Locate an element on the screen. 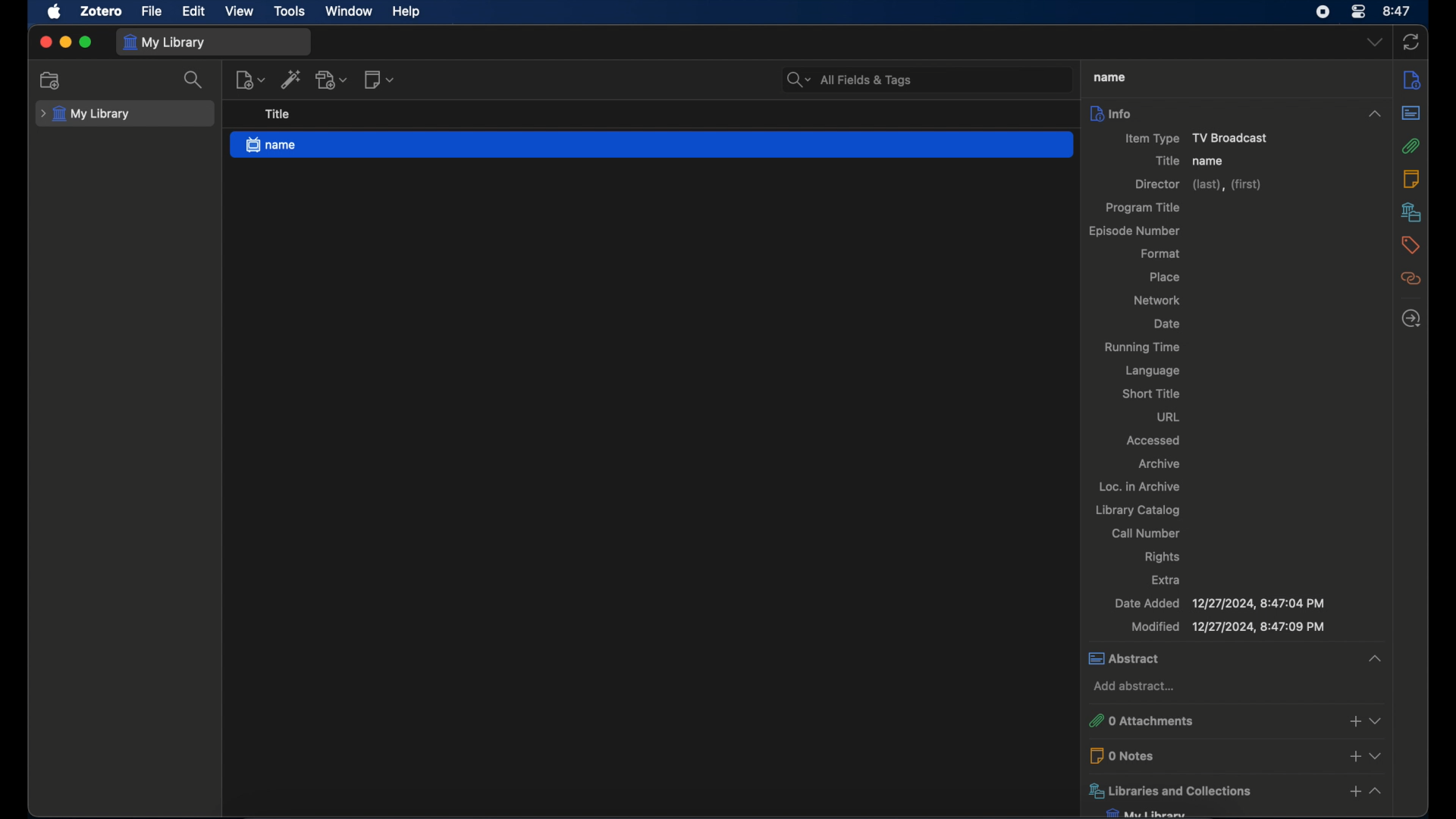  new collection is located at coordinates (49, 80).